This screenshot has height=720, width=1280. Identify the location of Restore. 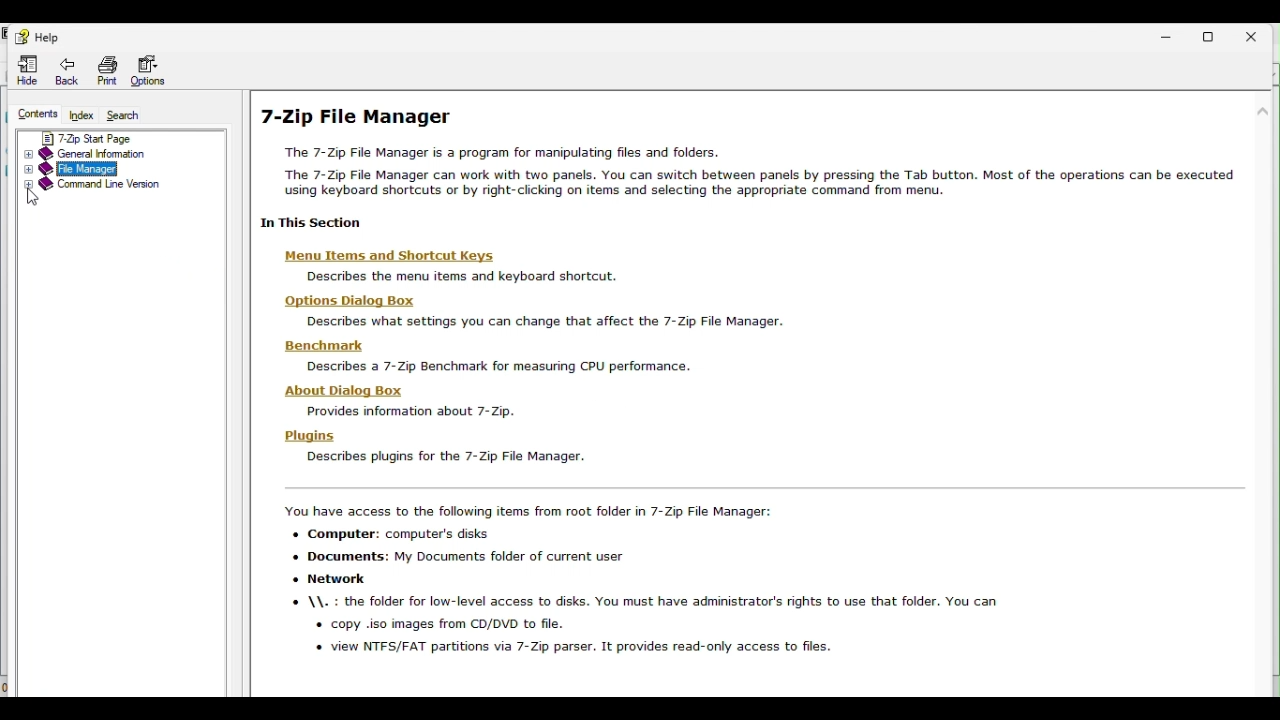
(1212, 33).